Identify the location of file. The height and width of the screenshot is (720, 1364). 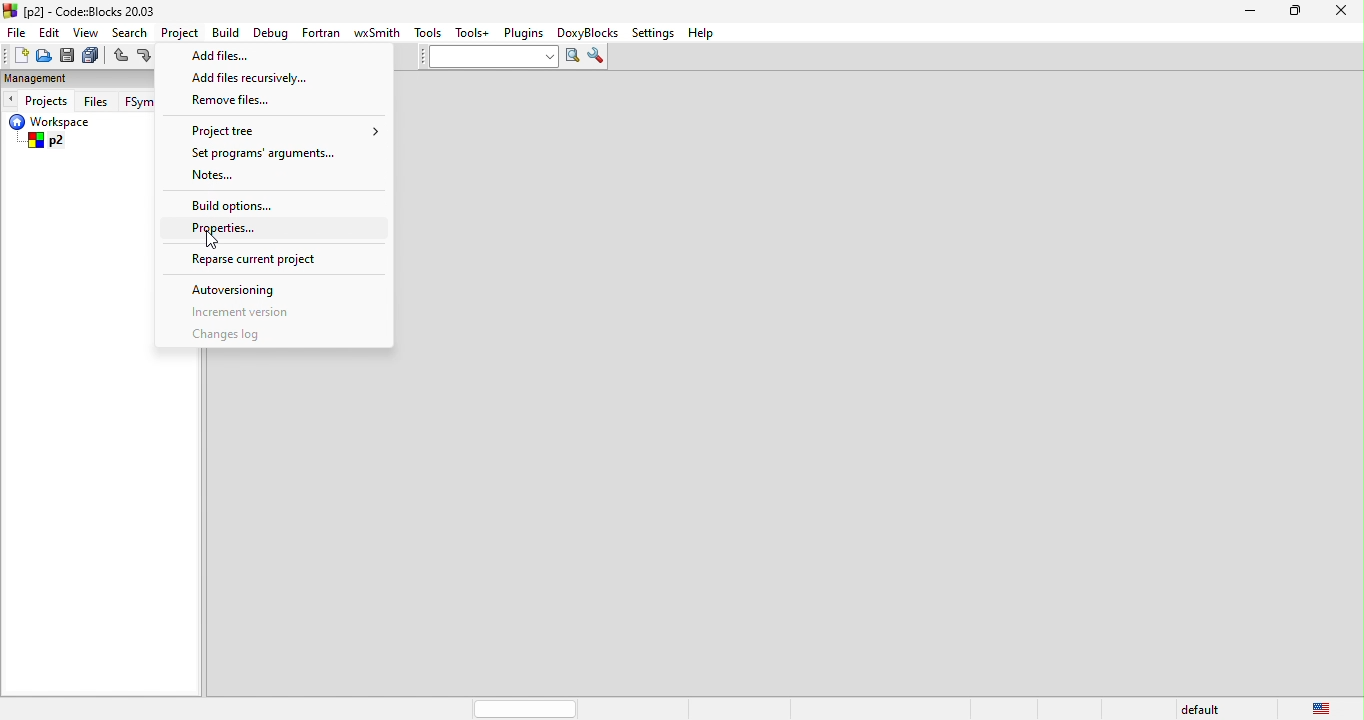
(18, 32).